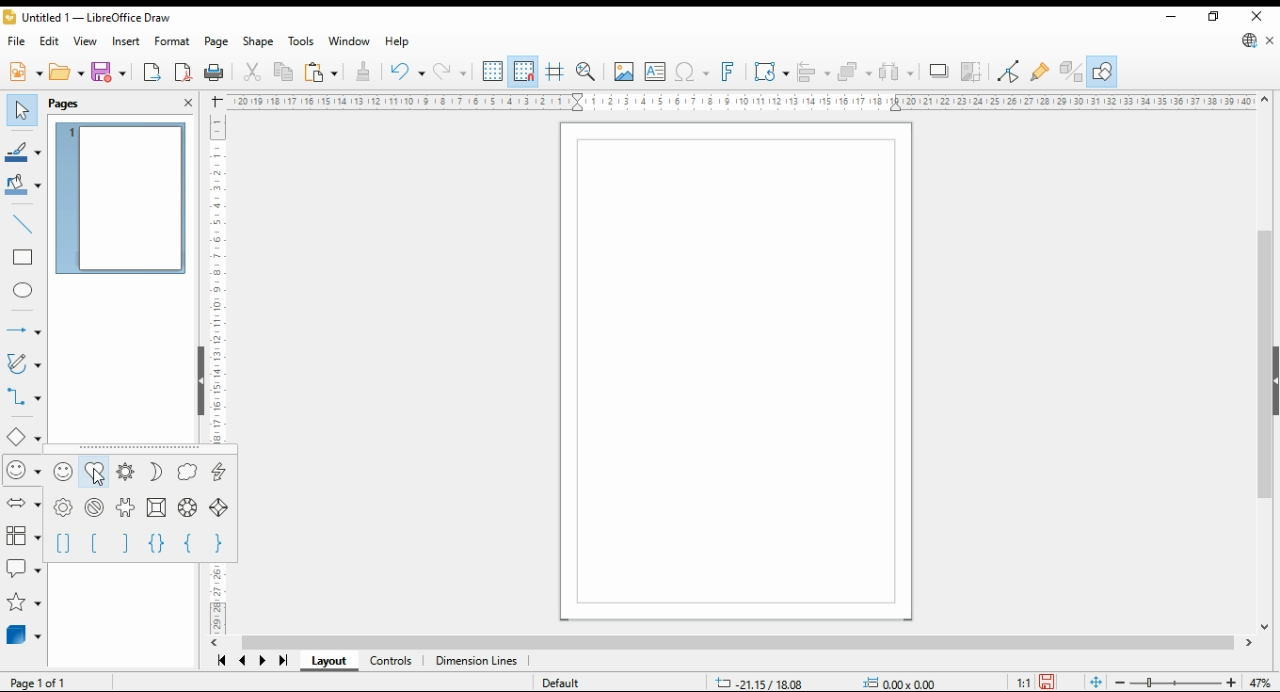 This screenshot has width=1280, height=692. What do you see at coordinates (897, 72) in the screenshot?
I see `select at least three items to distribute` at bounding box center [897, 72].